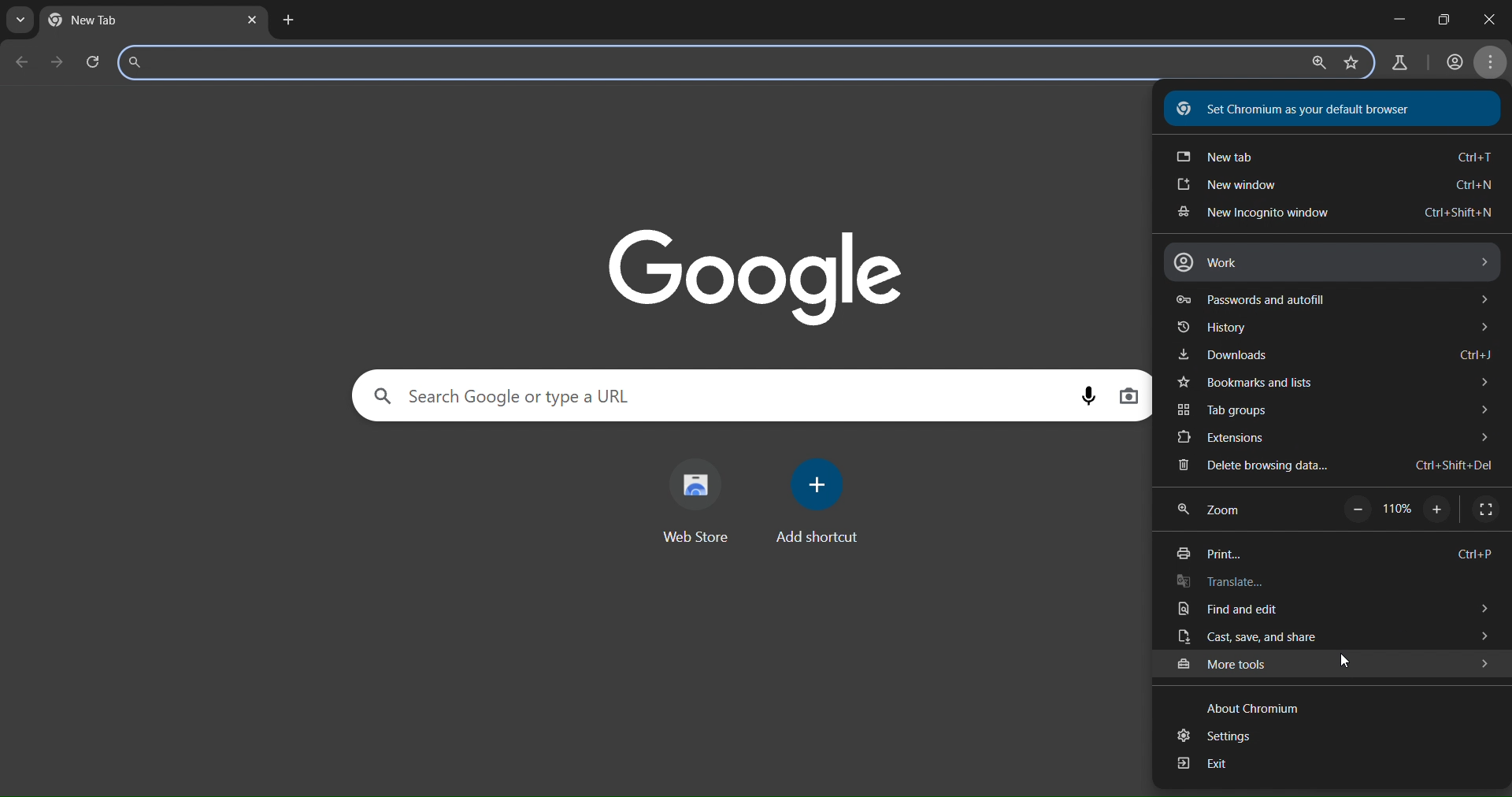  I want to click on add shortcut, so click(821, 500).